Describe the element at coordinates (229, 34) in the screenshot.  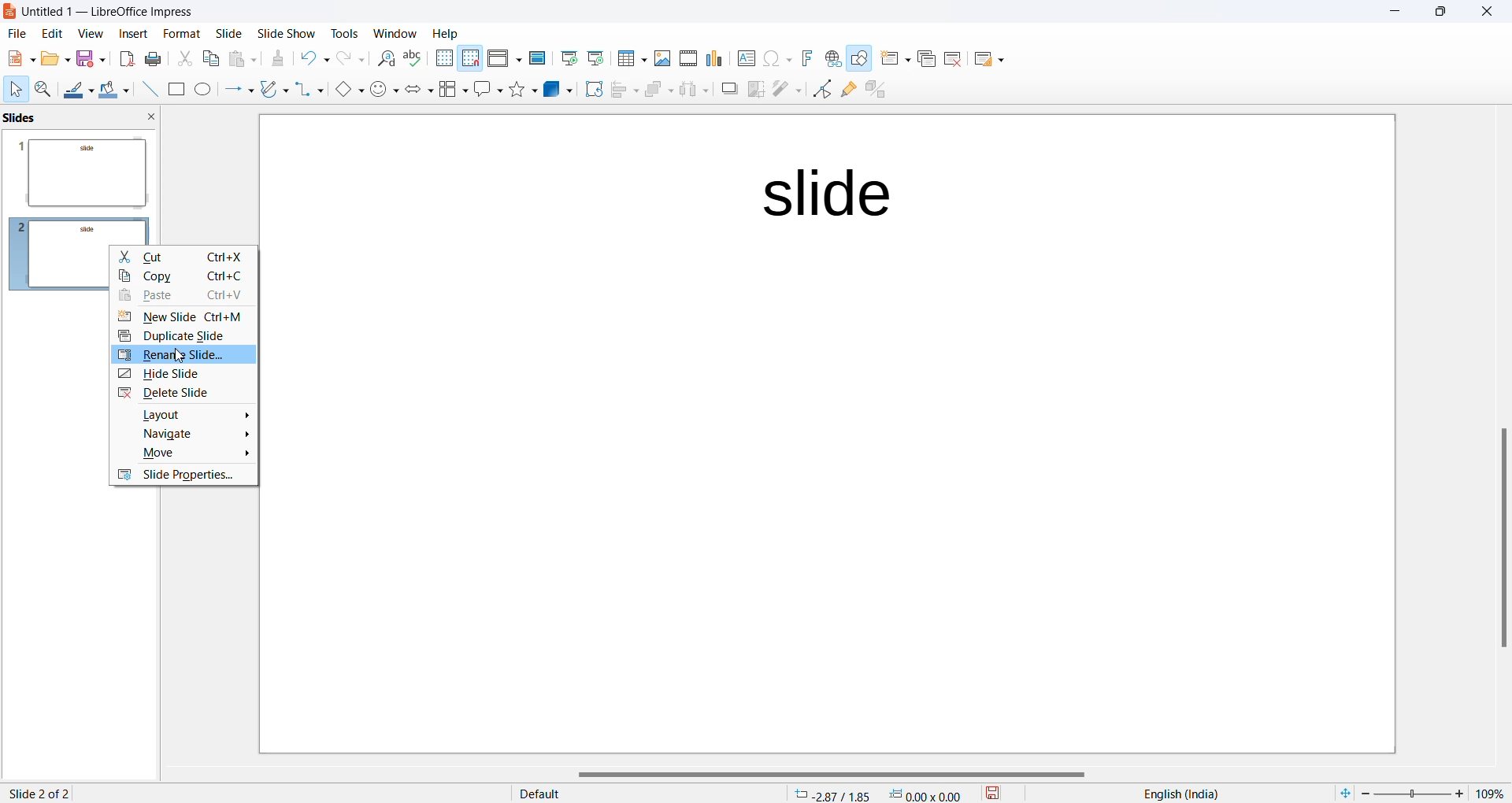
I see `Slide` at that location.